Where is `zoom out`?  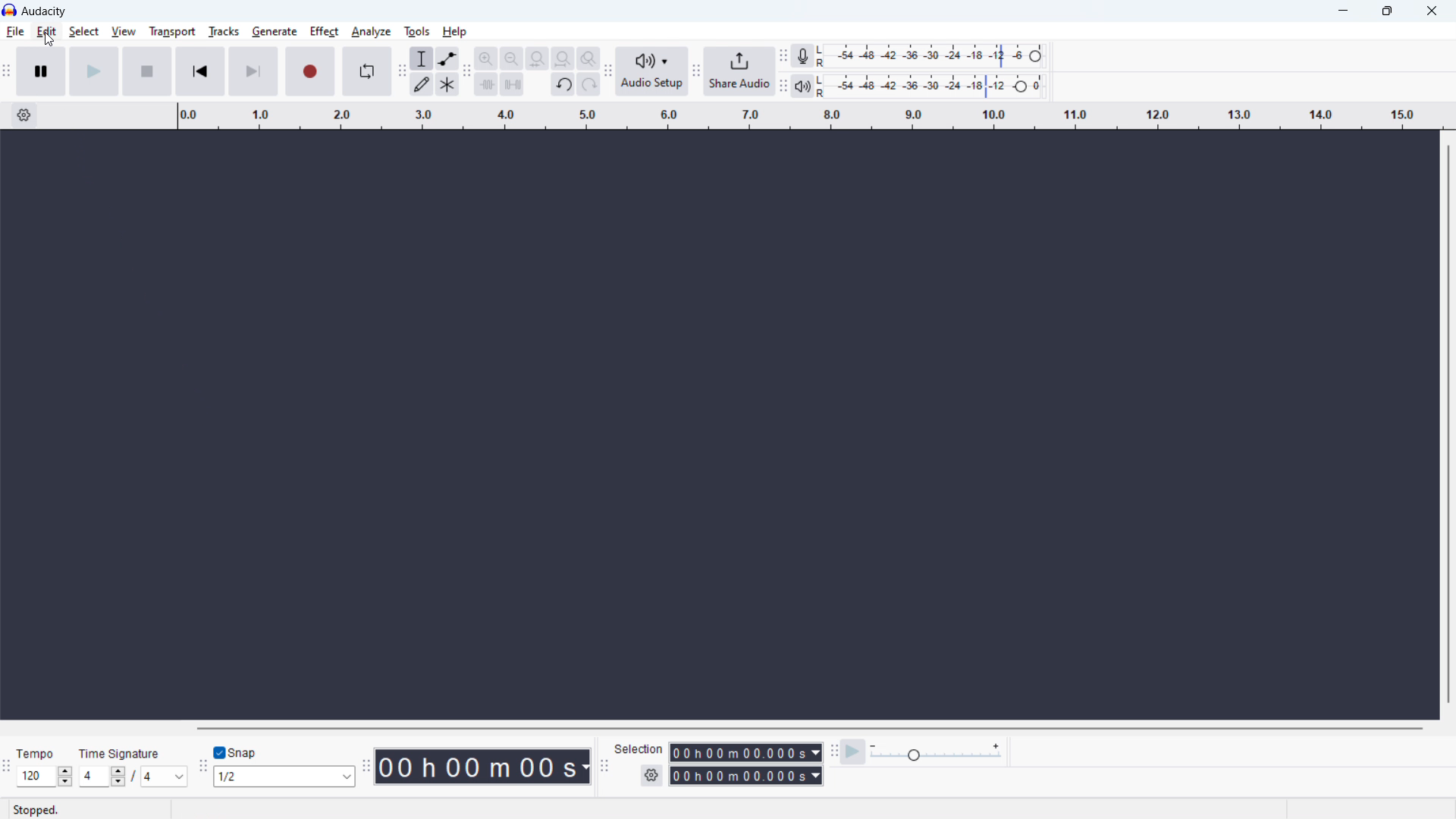
zoom out is located at coordinates (510, 58).